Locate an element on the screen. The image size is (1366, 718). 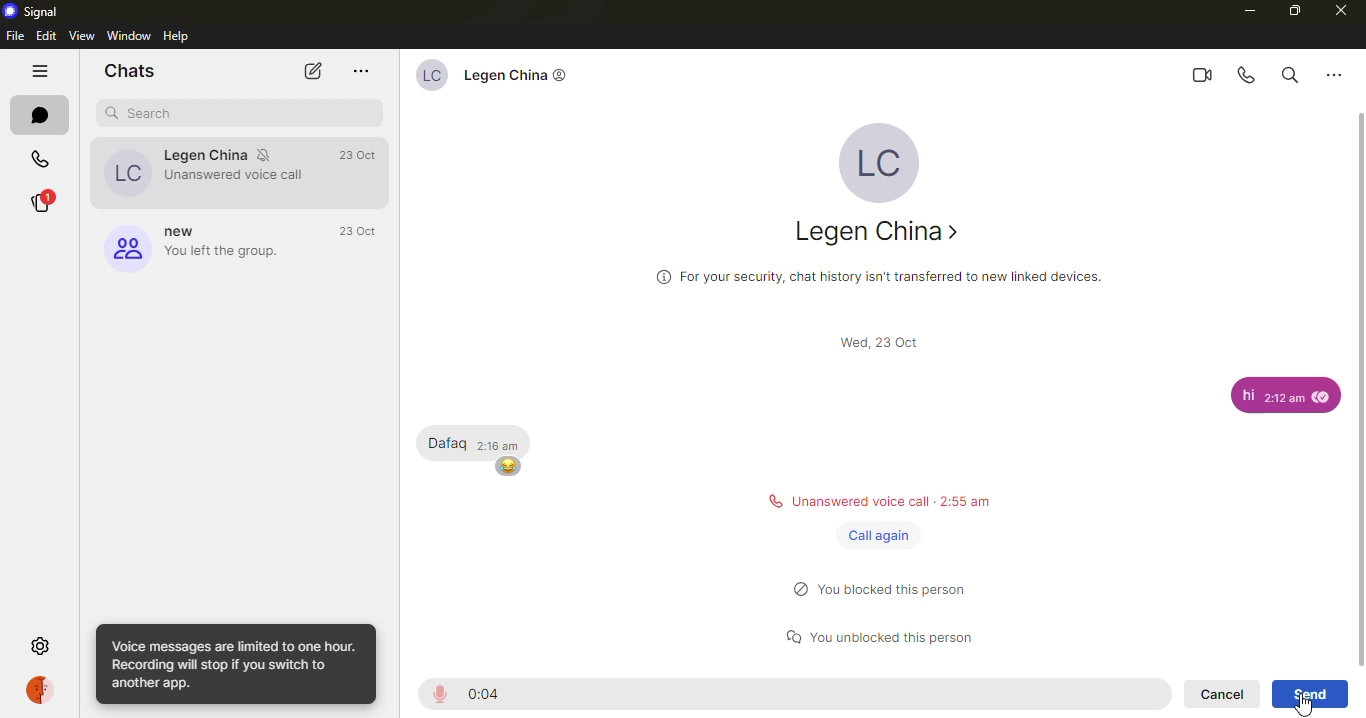
contact is located at coordinates (878, 228).